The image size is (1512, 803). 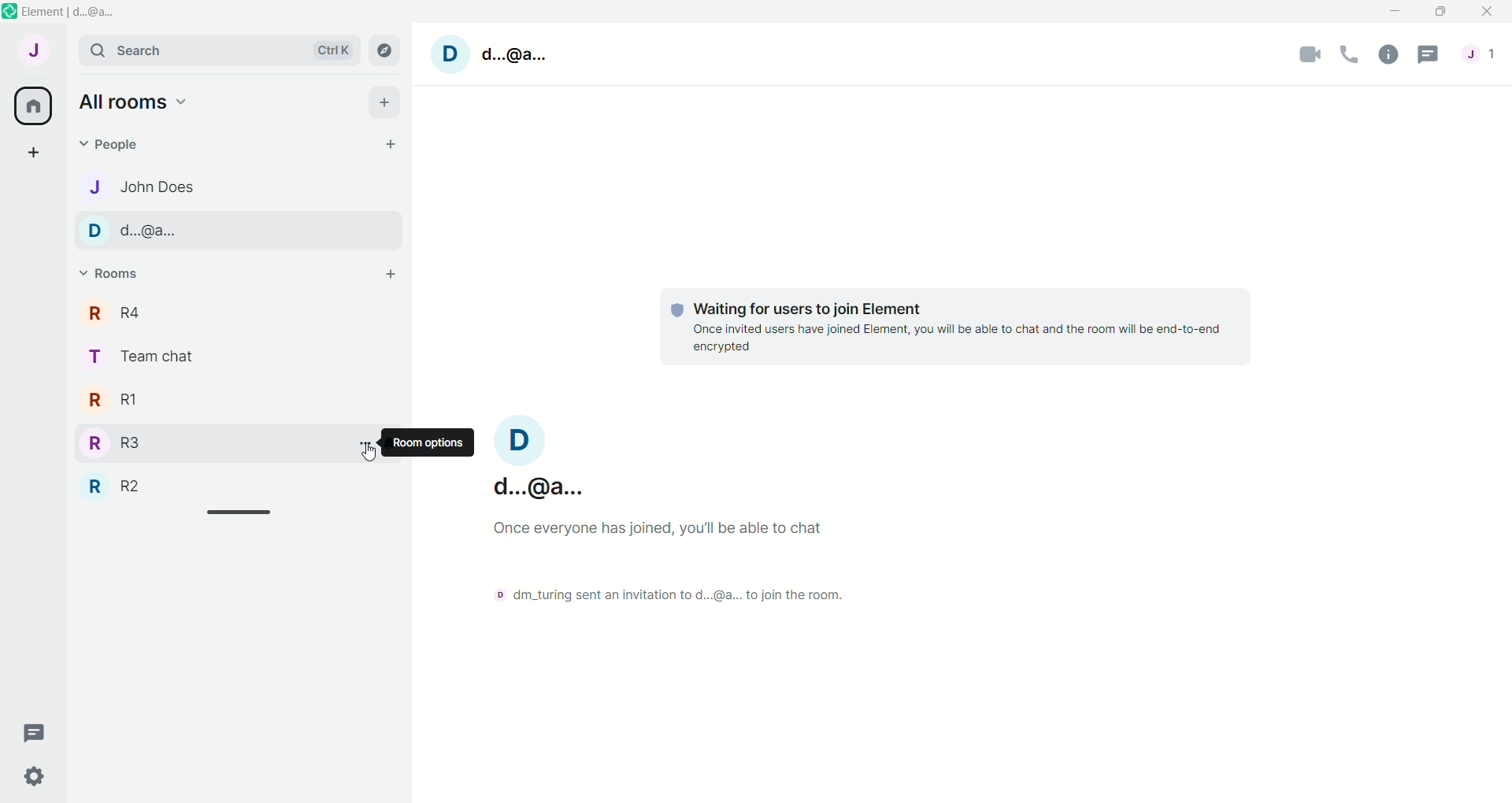 What do you see at coordinates (235, 398) in the screenshot?
I see `R1` at bounding box center [235, 398].